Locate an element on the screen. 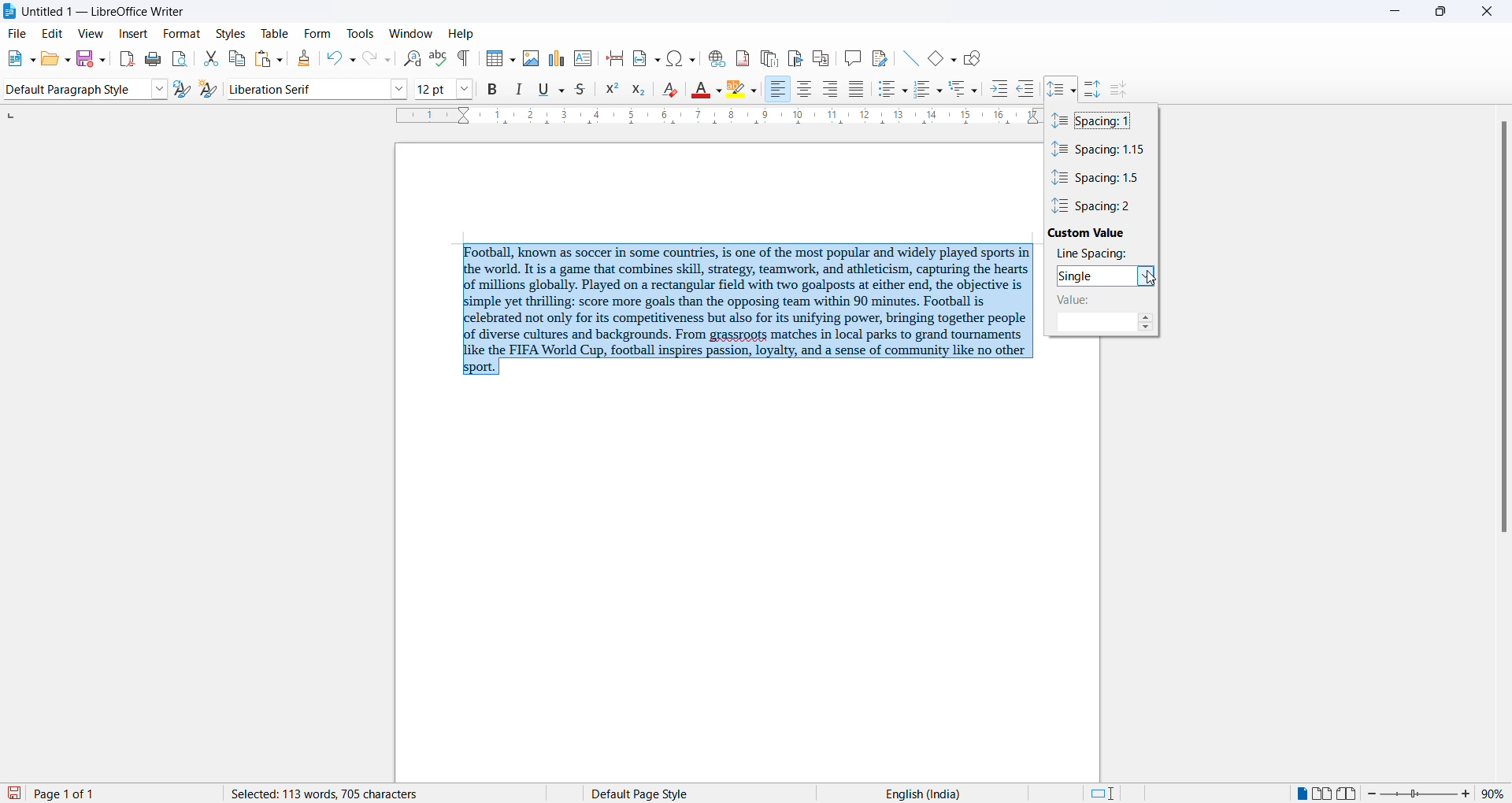  word and character count is located at coordinates (339, 794).